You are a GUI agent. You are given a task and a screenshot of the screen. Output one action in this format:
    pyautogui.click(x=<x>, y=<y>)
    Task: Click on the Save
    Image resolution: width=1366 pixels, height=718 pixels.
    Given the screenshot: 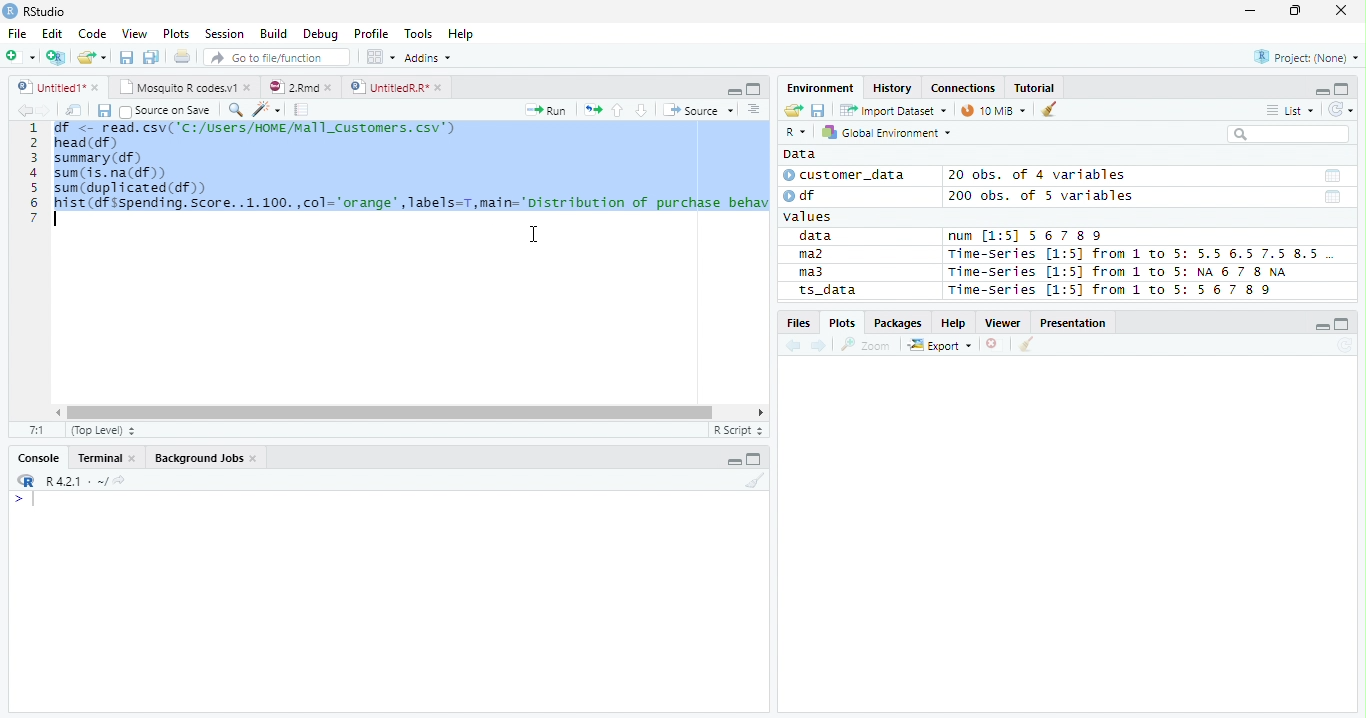 What is the action you would take?
    pyautogui.click(x=818, y=109)
    